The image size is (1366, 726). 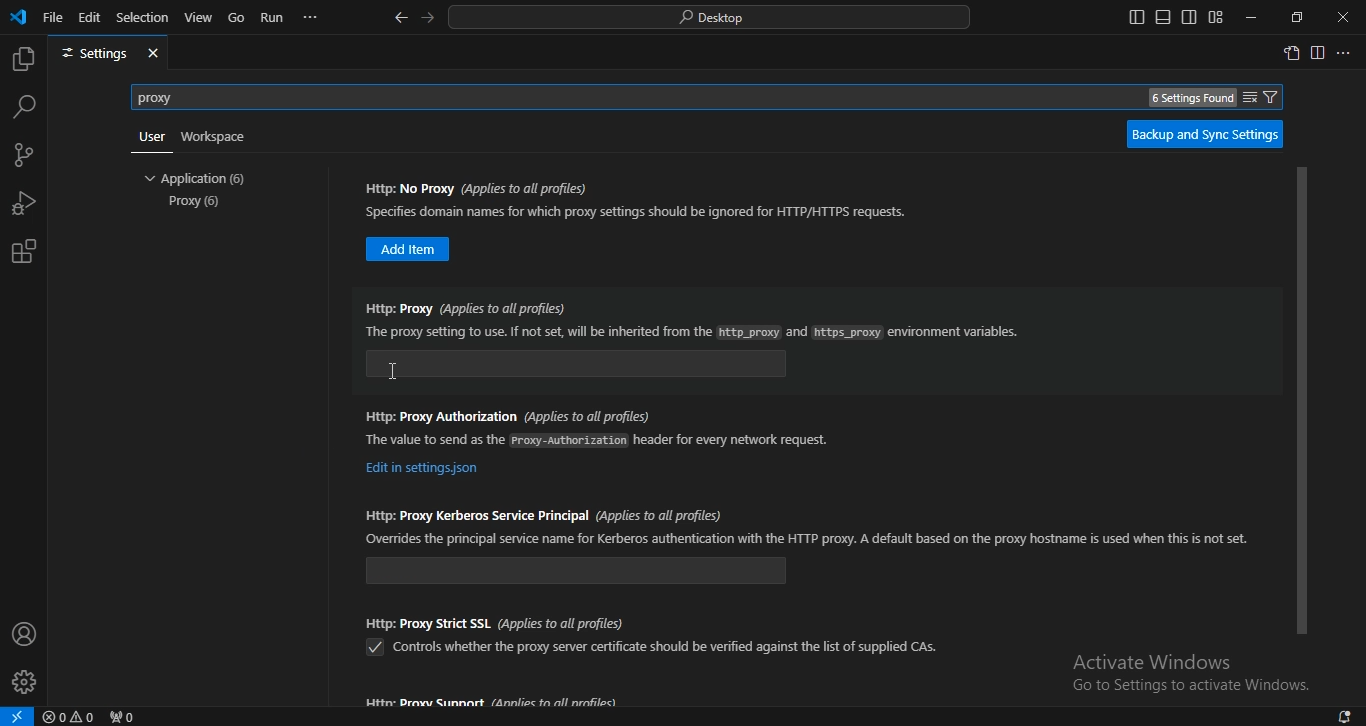 What do you see at coordinates (667, 647) in the screenshot?
I see `texthttps: proxy strict SSL` at bounding box center [667, 647].